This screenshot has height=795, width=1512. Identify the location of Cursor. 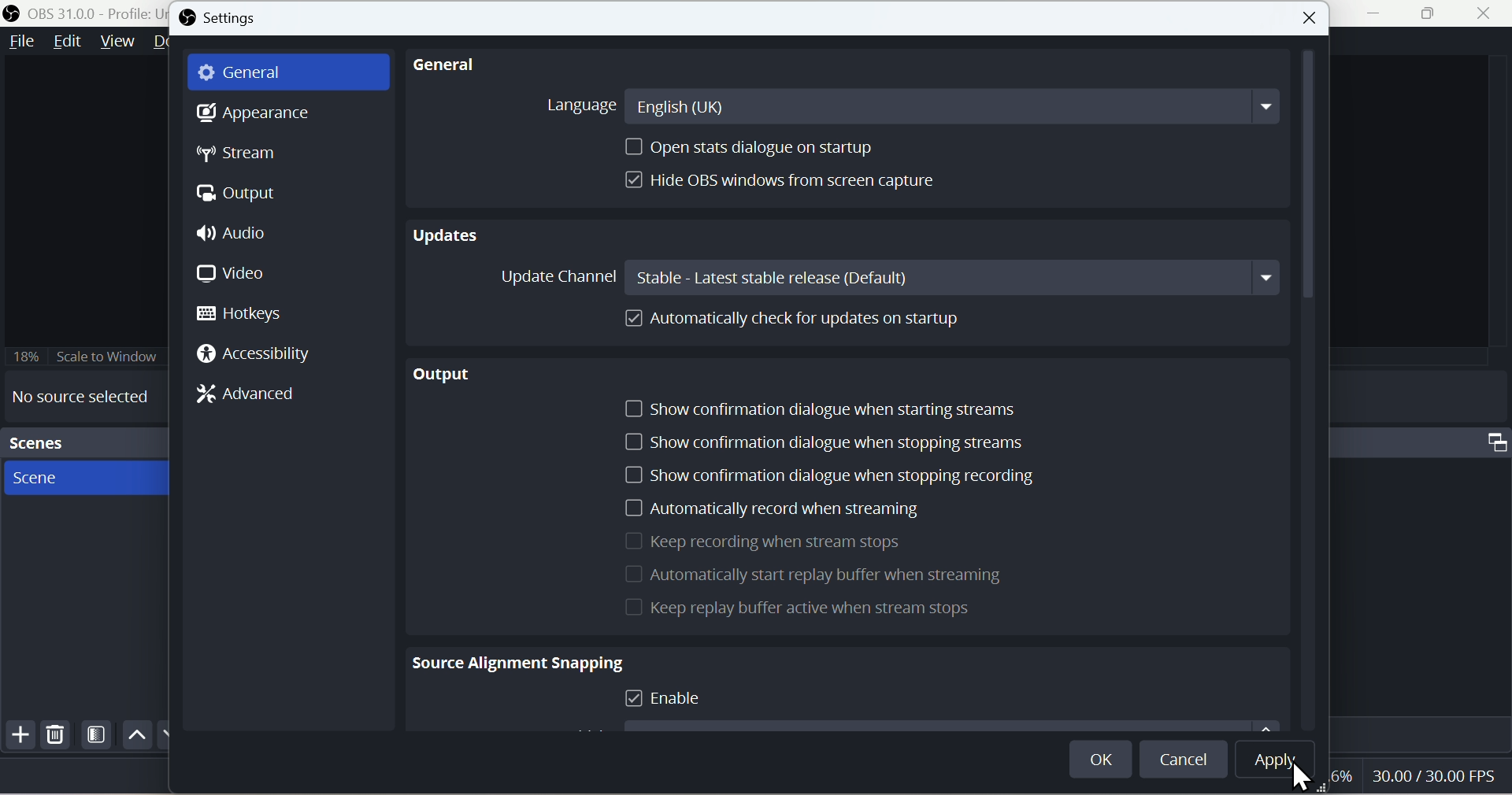
(1302, 775).